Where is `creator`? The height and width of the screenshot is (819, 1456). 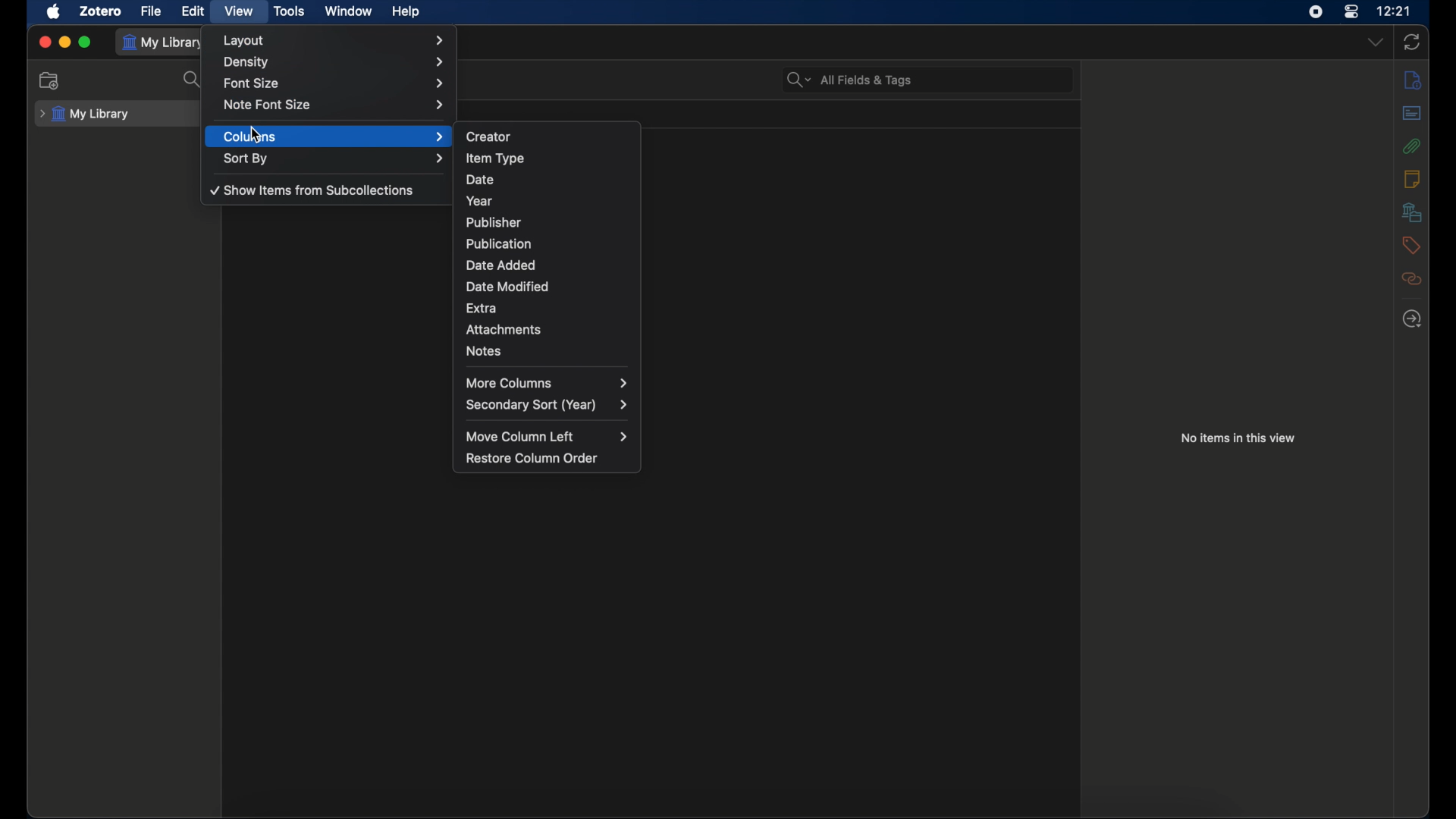 creator is located at coordinates (488, 137).